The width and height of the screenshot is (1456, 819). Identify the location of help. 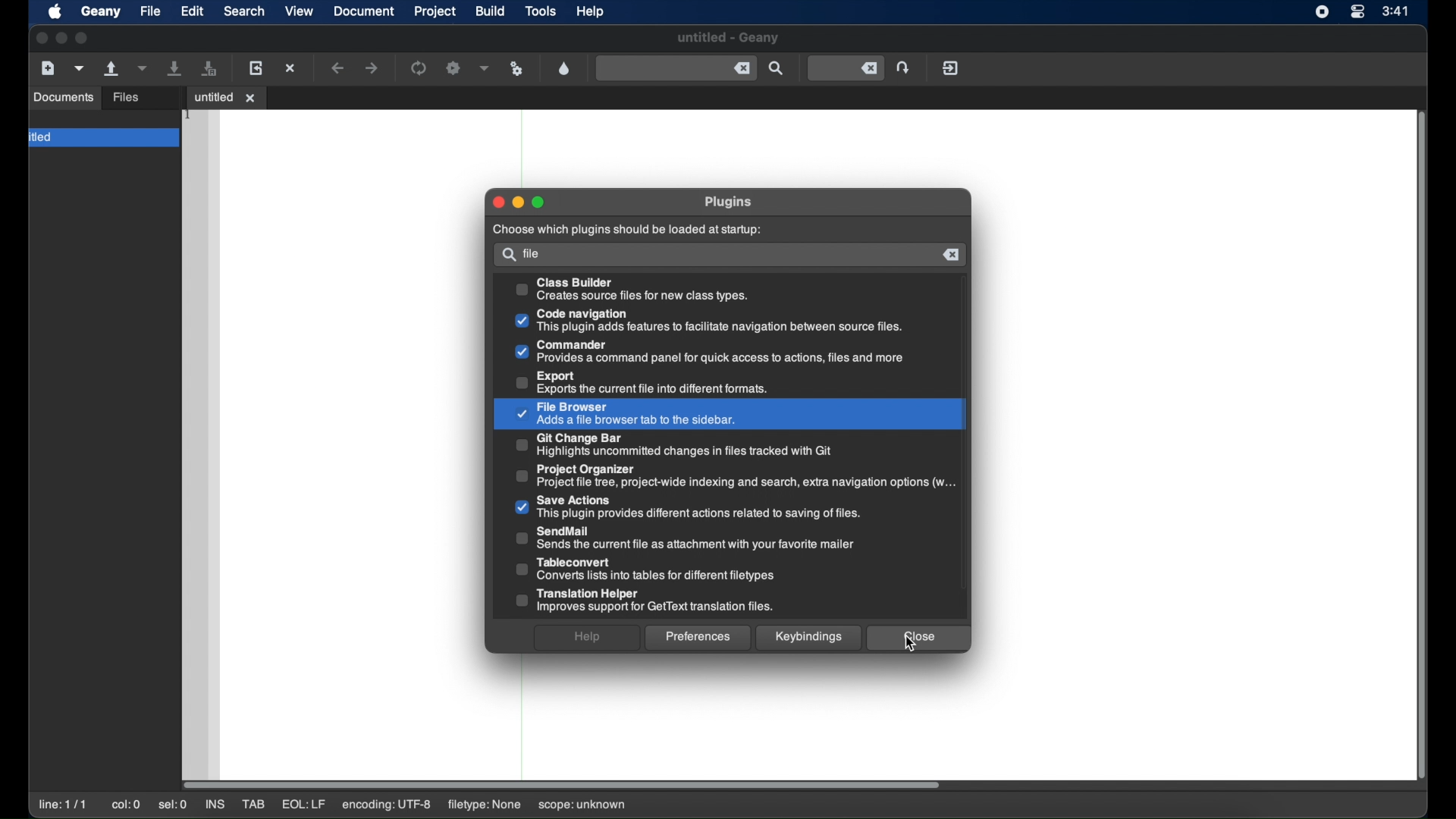
(591, 11).